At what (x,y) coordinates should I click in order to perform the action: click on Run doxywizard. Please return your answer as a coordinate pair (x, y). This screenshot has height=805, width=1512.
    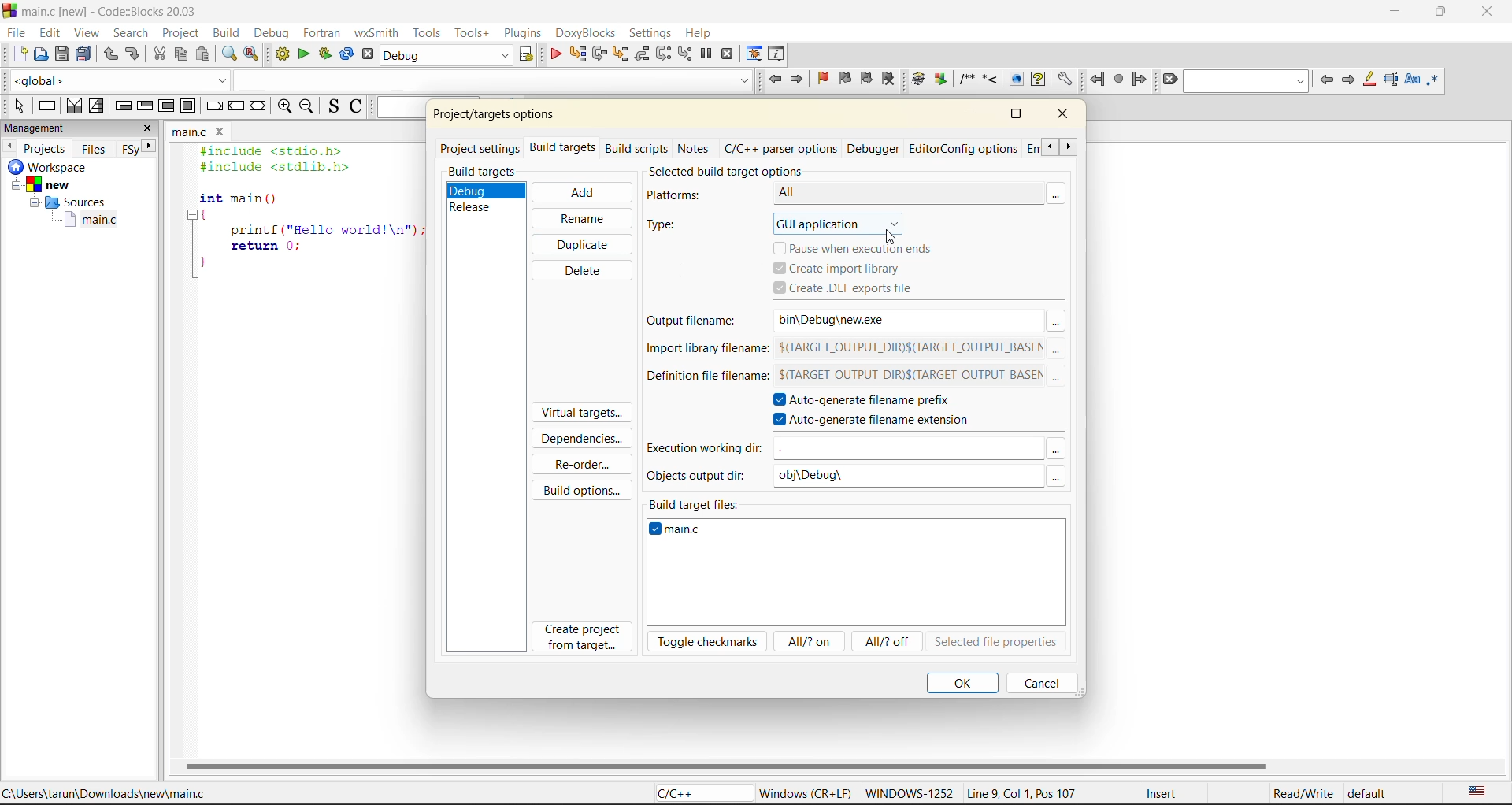
    Looking at the image, I should click on (917, 80).